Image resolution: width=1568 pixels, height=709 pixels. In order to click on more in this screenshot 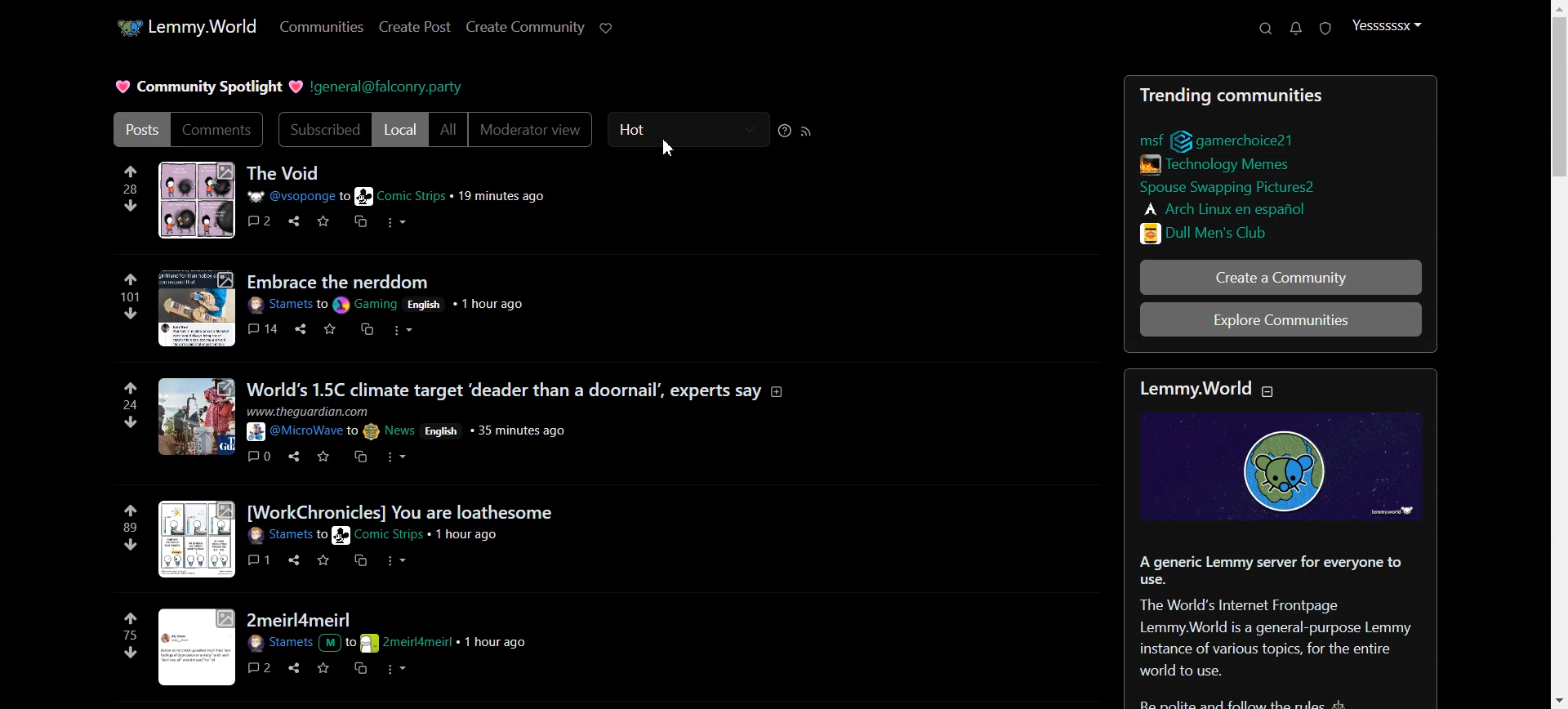, I will do `click(392, 457)`.